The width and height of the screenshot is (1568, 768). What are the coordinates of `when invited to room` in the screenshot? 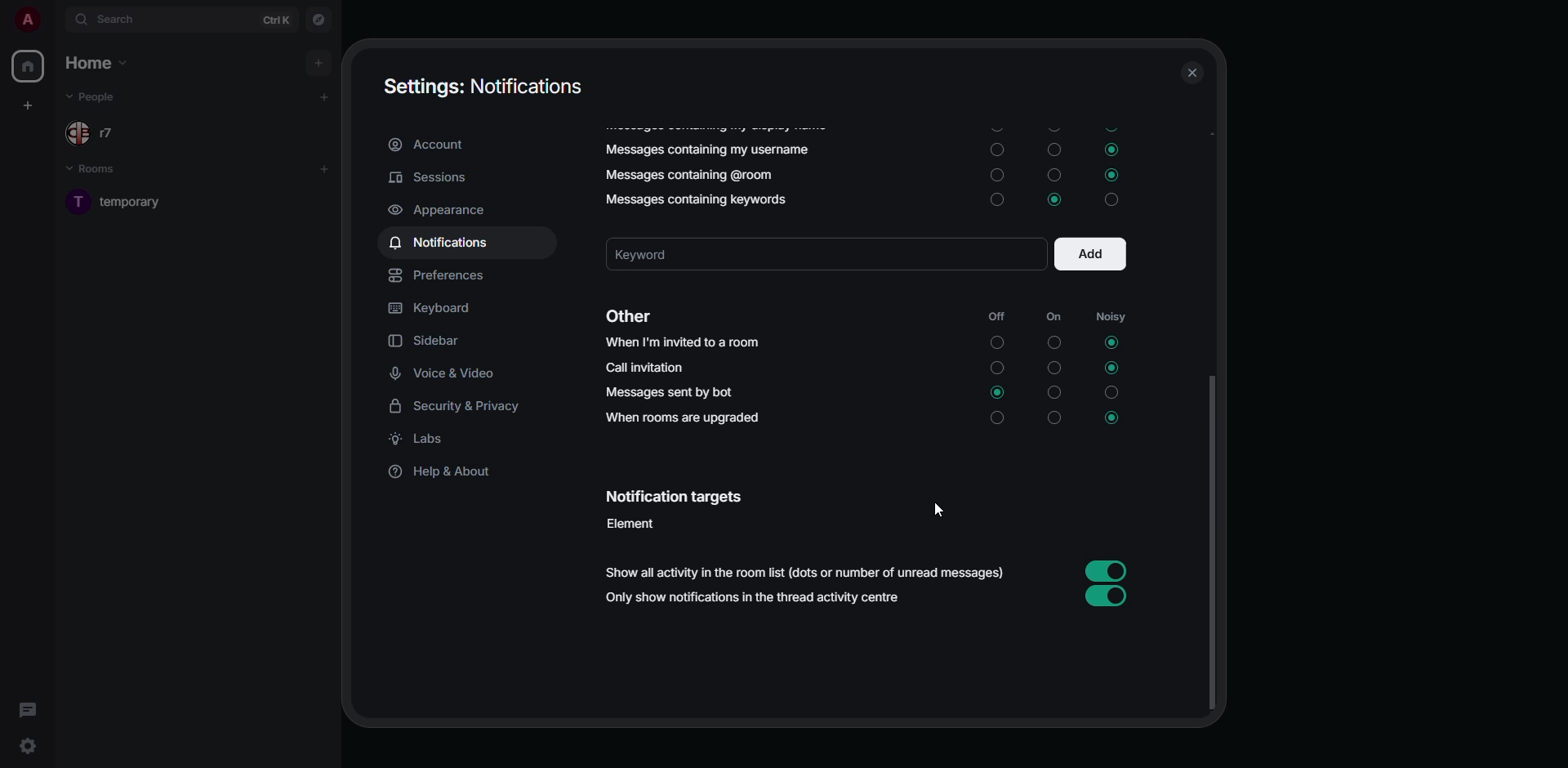 It's located at (684, 343).